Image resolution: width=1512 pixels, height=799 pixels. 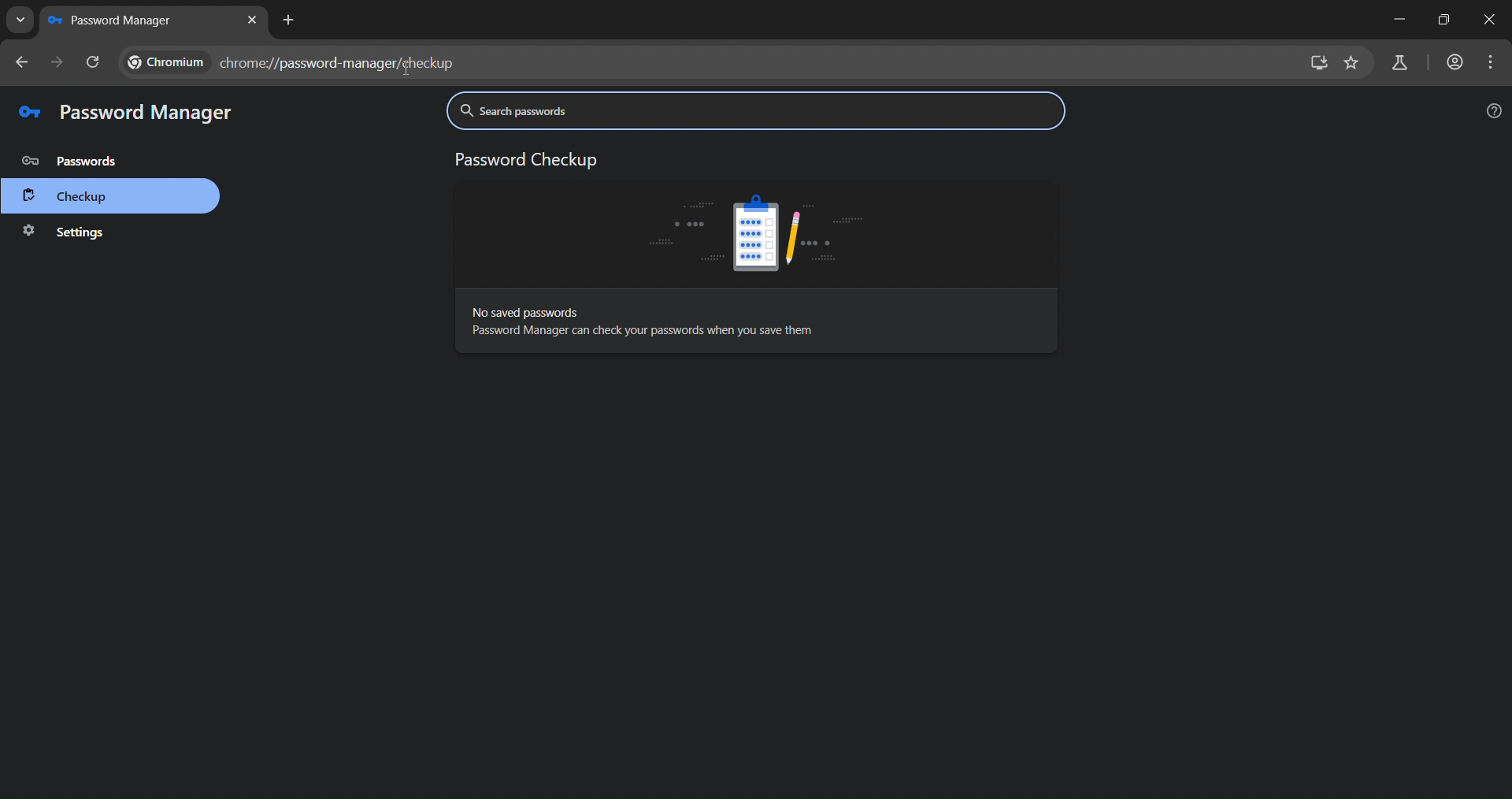 I want to click on menu, so click(x=1489, y=61).